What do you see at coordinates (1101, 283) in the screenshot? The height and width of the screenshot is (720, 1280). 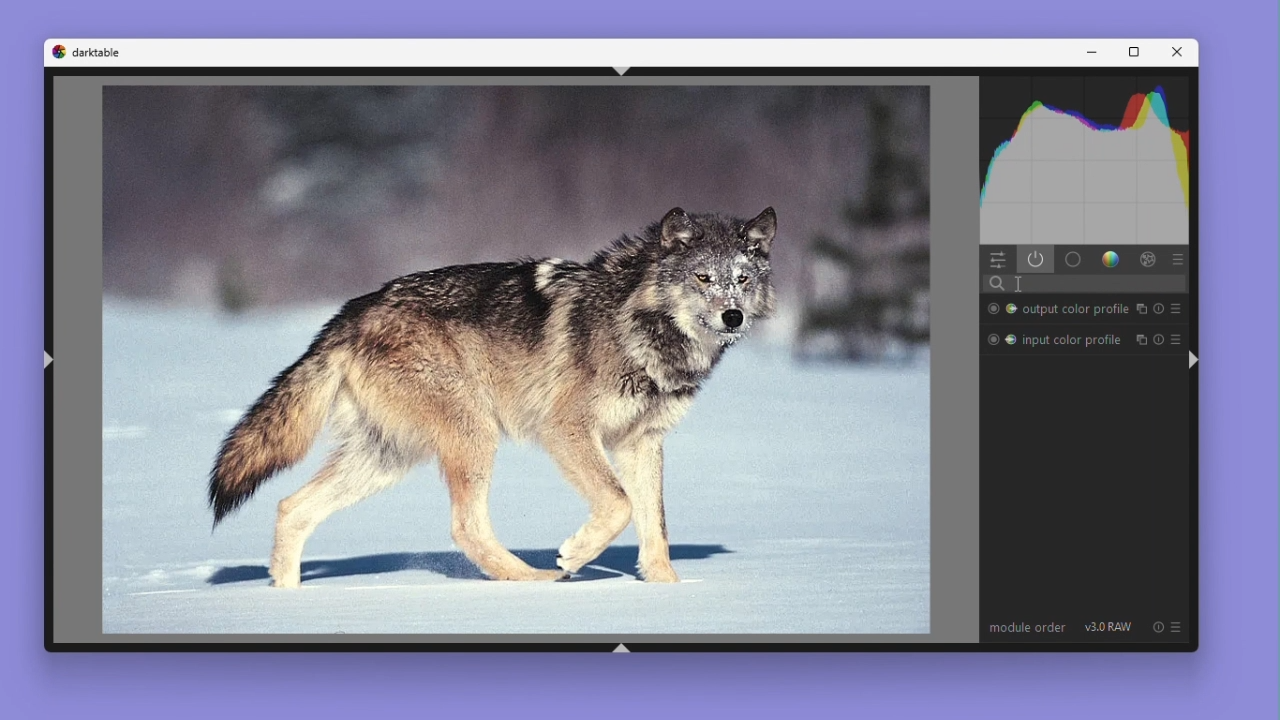 I see `search modules by name or tag` at bounding box center [1101, 283].